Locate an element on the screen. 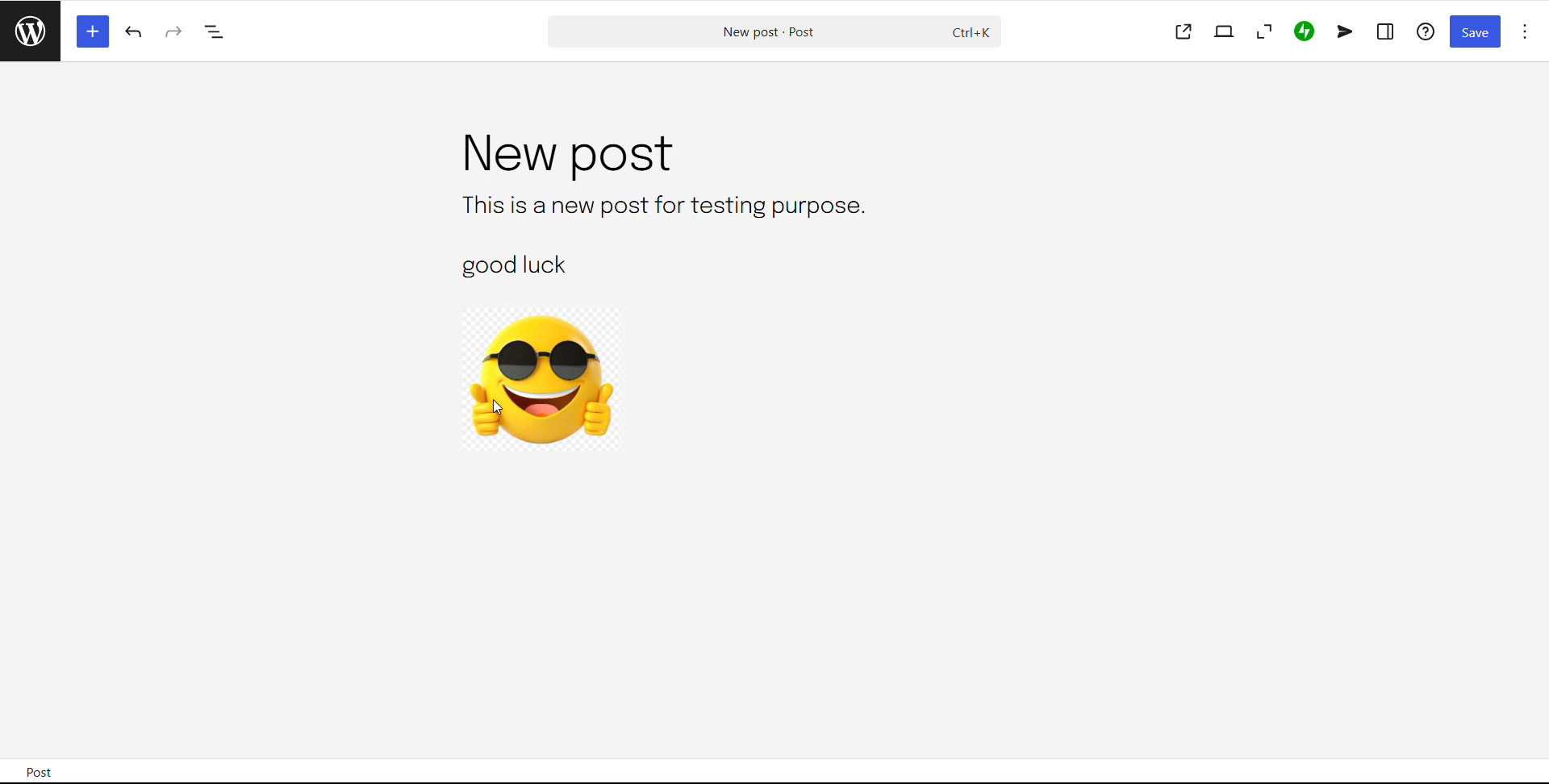 This screenshot has height=784, width=1549. view post is located at coordinates (1184, 32).